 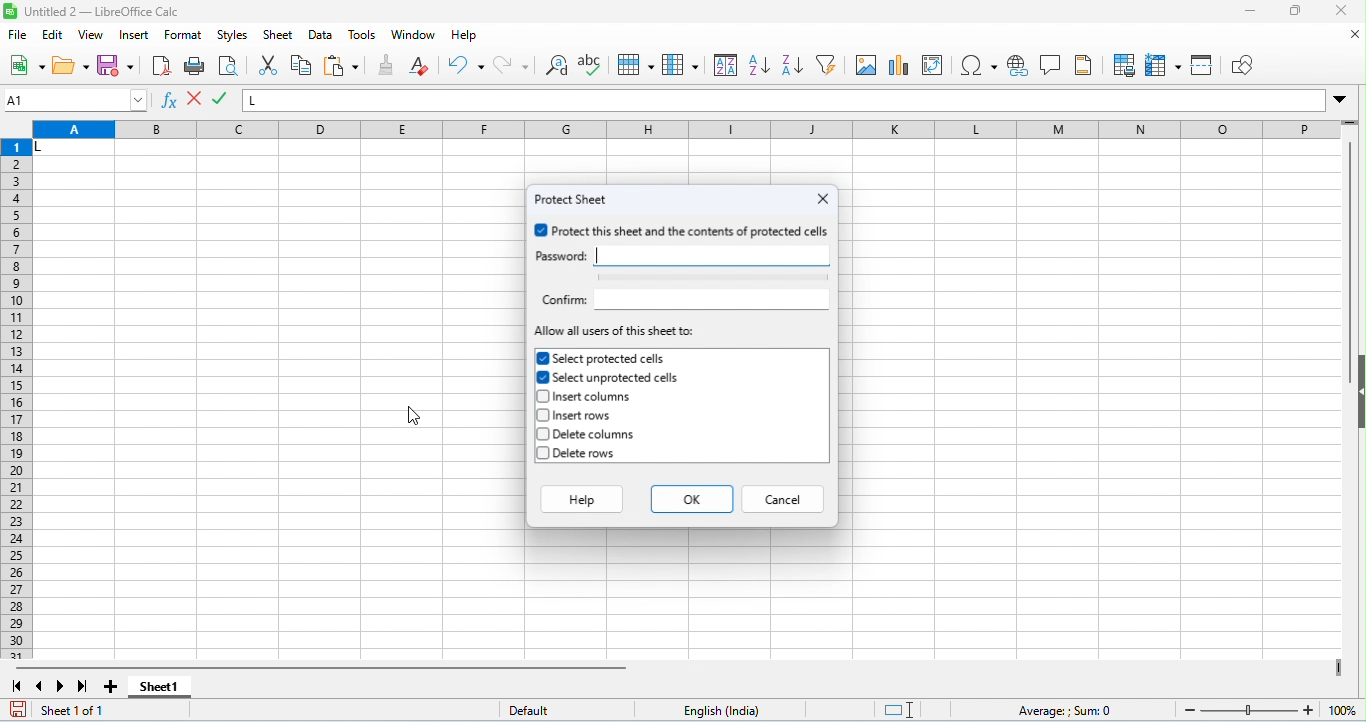 What do you see at coordinates (610, 378) in the screenshot?
I see `select unprotected cells` at bounding box center [610, 378].